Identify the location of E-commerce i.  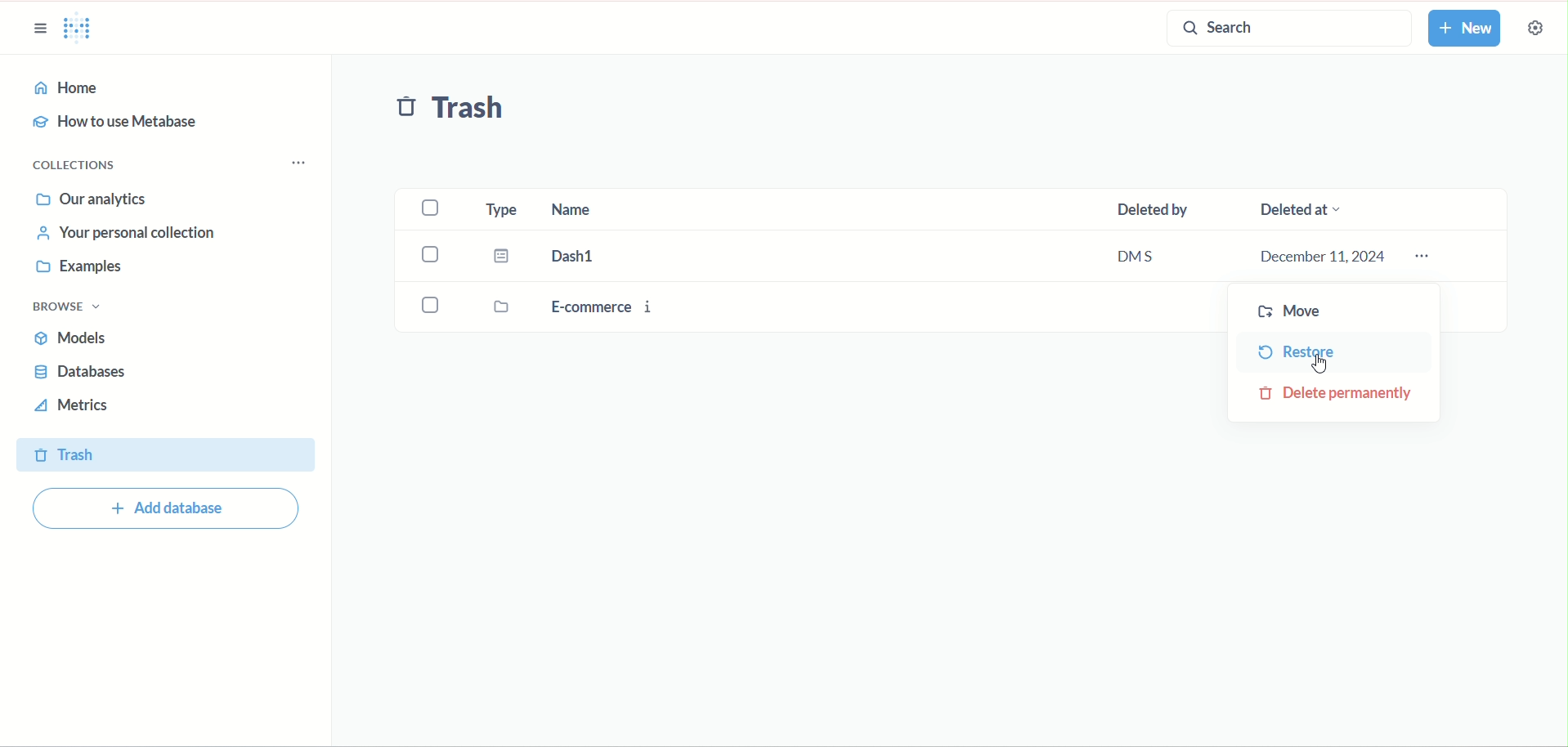
(615, 310).